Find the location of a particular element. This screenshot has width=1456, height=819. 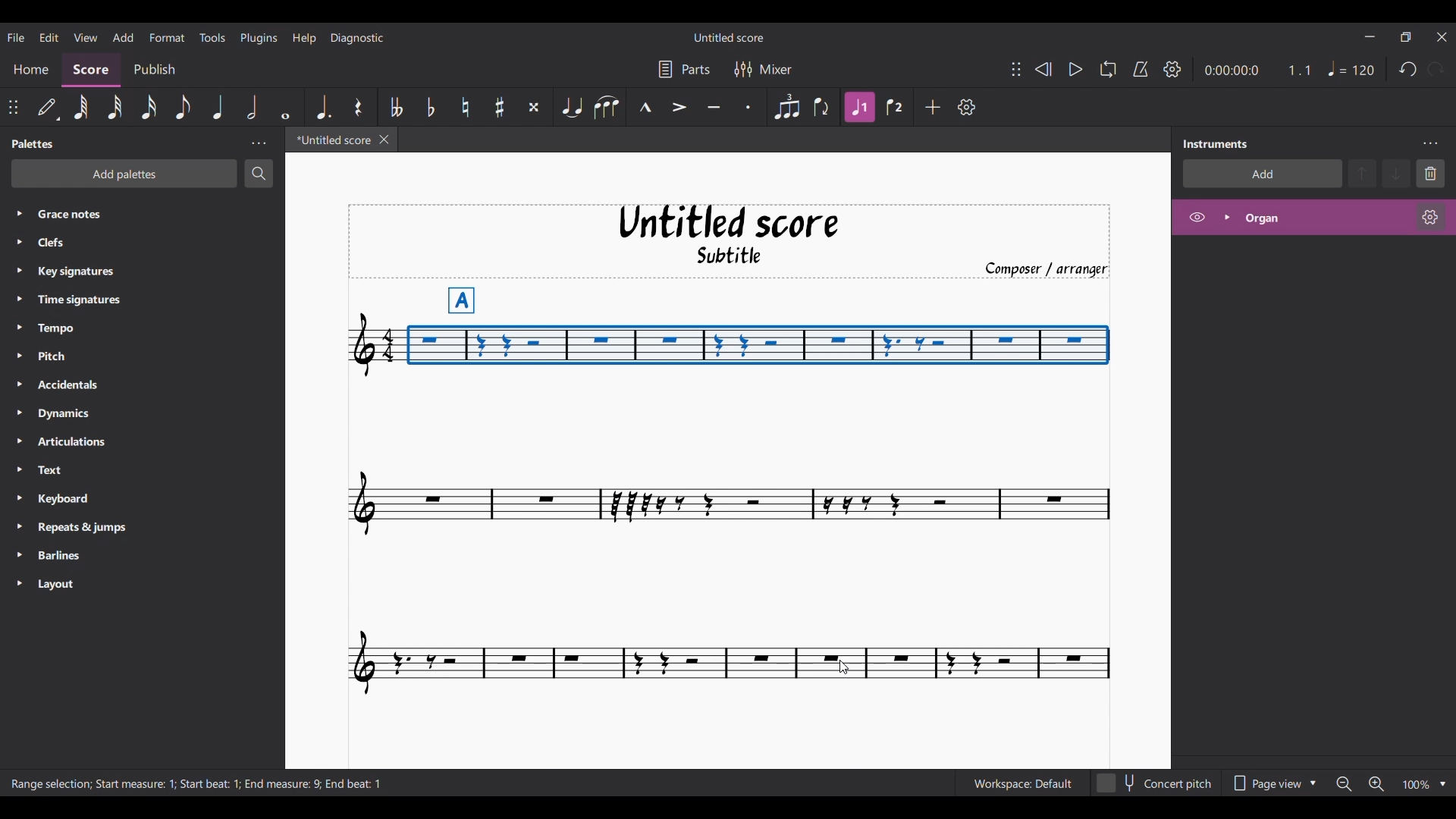

Help menu is located at coordinates (306, 38).